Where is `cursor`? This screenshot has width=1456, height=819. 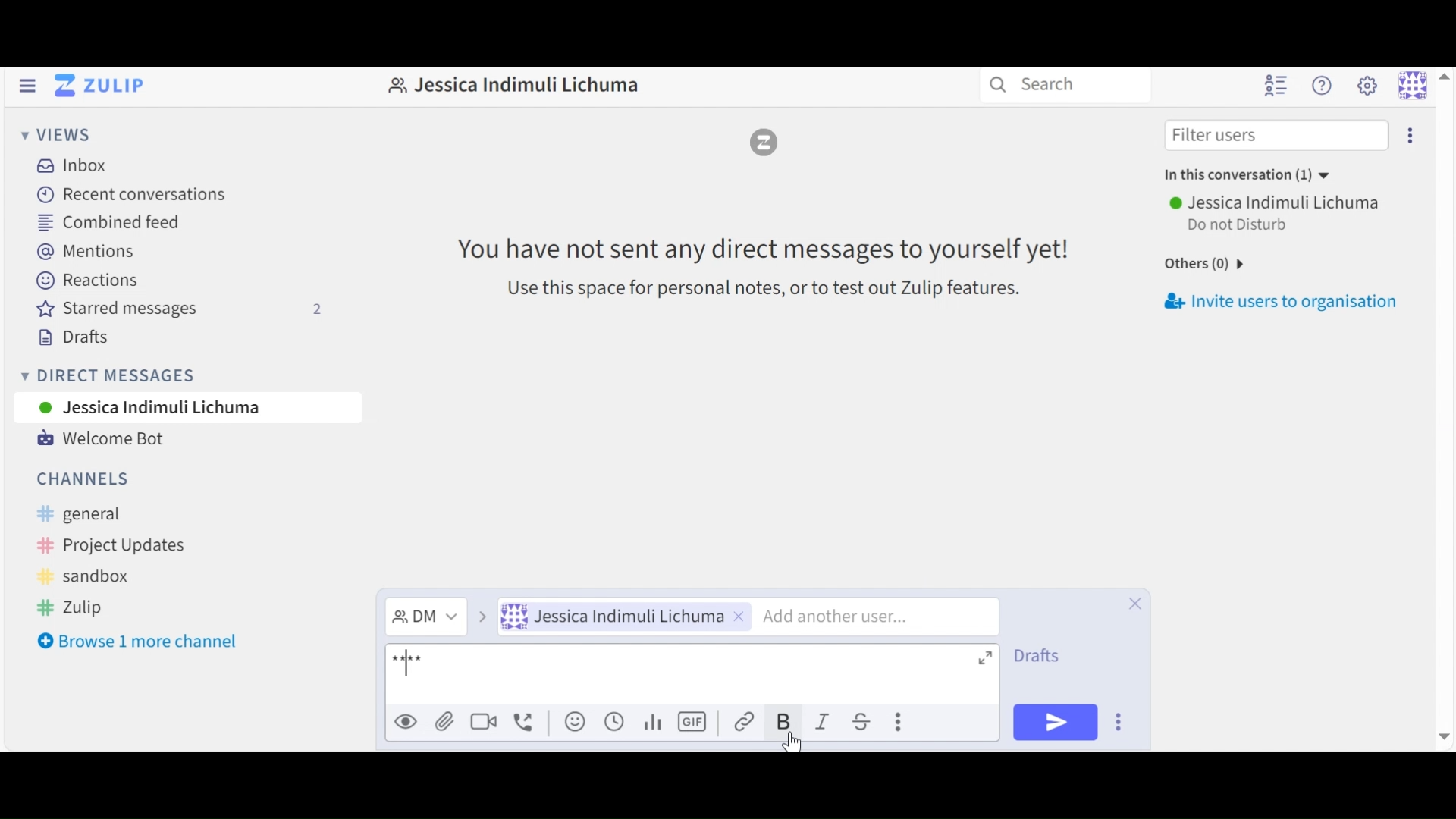
cursor is located at coordinates (792, 742).